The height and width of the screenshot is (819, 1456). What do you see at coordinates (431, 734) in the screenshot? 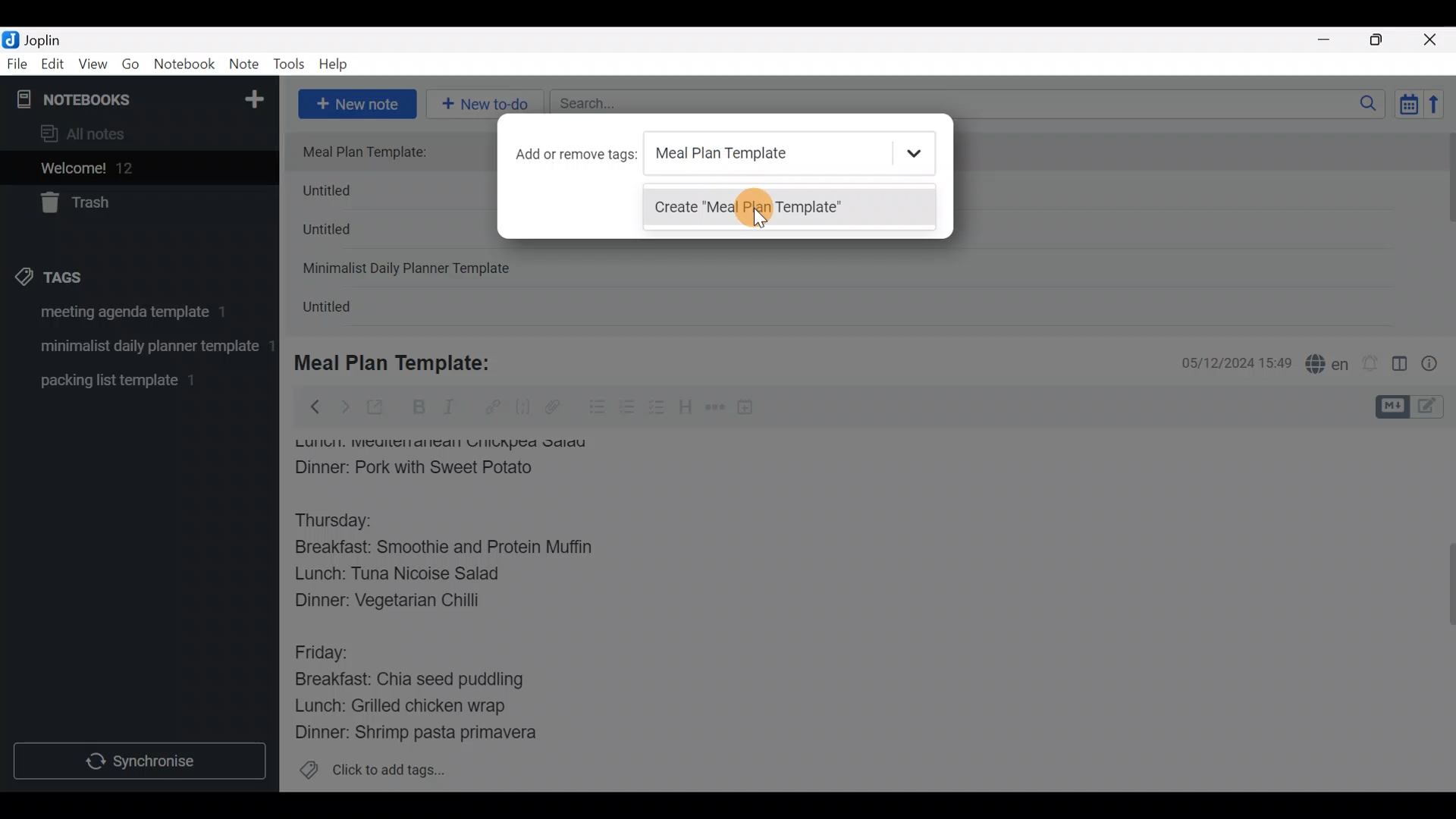
I see `Dinner: Shrimp pasta primavera` at bounding box center [431, 734].